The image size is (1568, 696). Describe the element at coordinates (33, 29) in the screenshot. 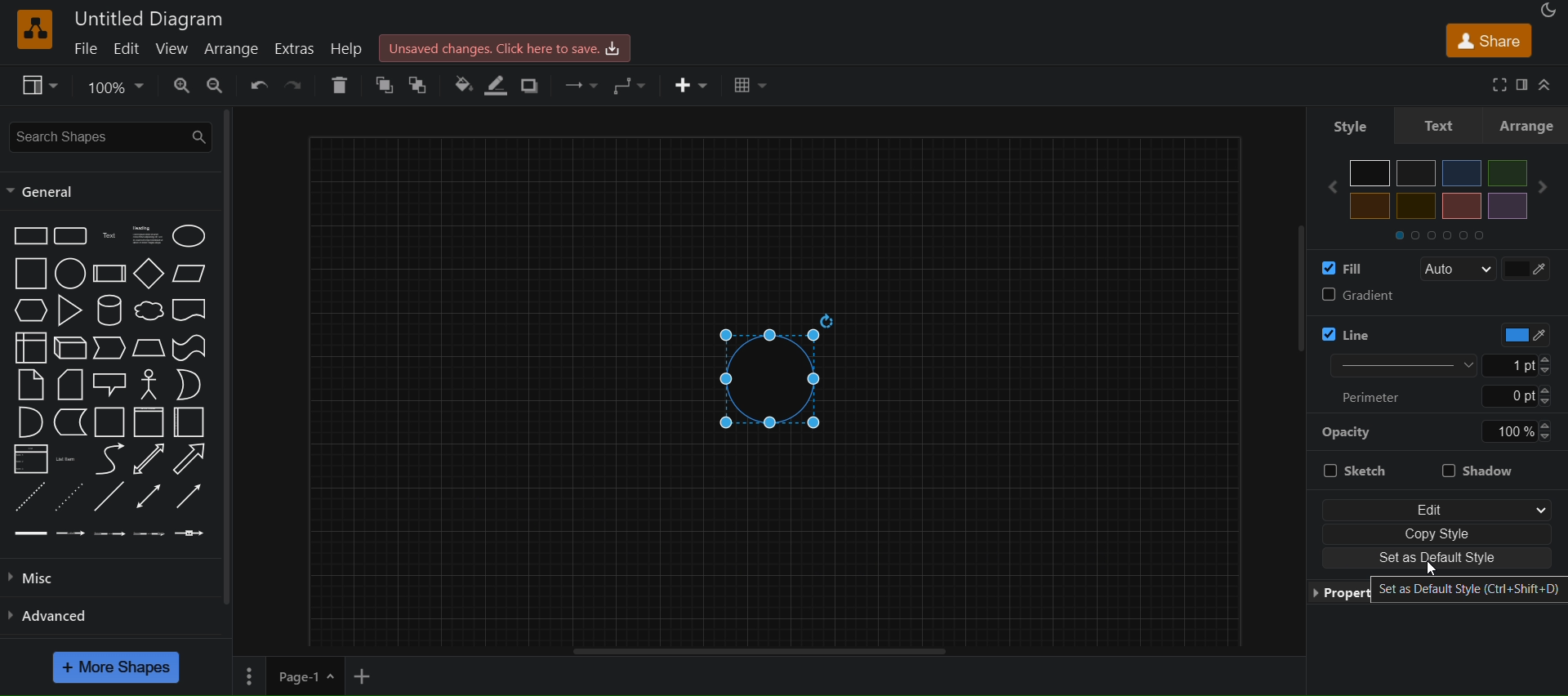

I see `logo` at that location.